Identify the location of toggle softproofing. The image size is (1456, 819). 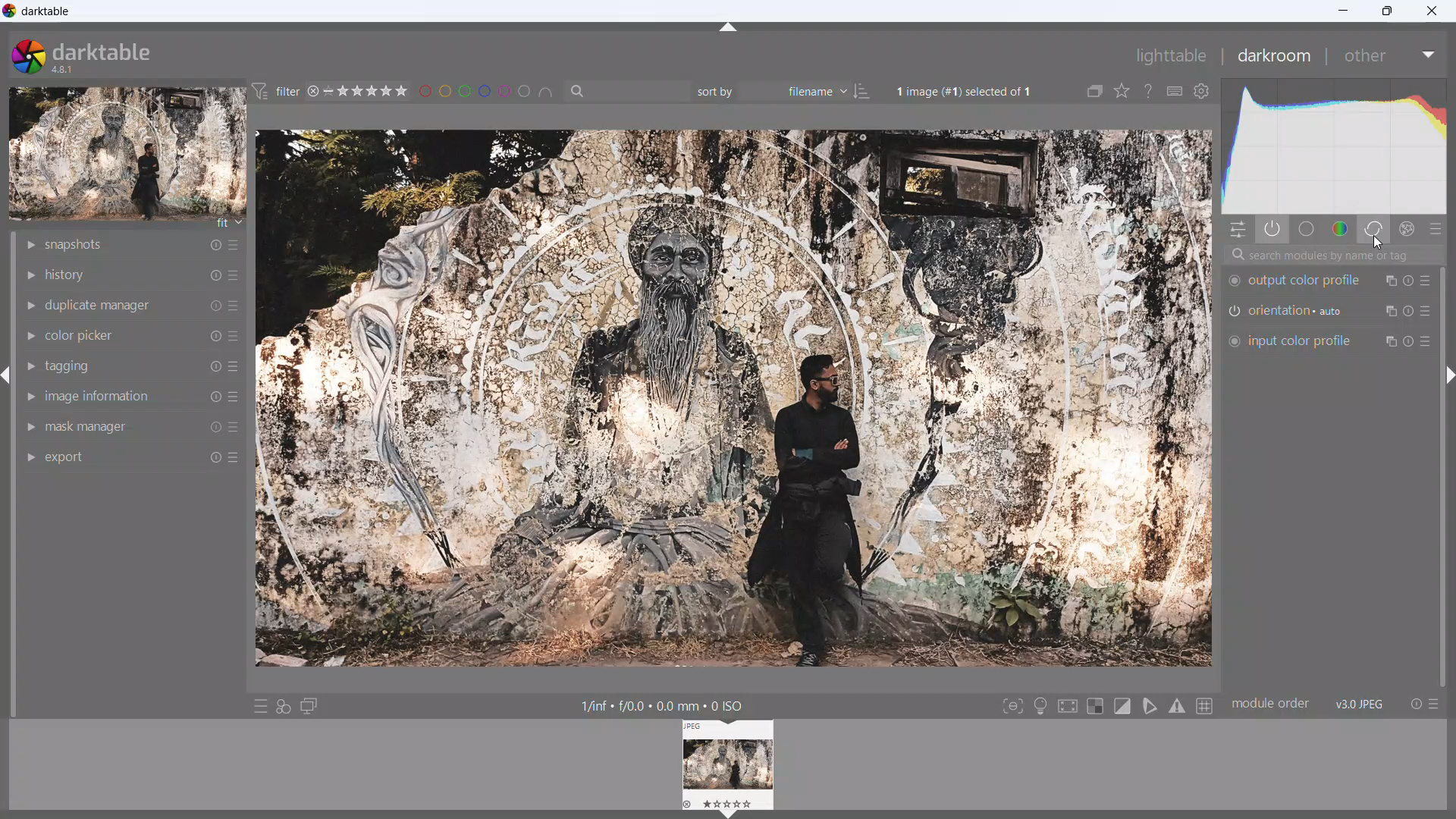
(1149, 707).